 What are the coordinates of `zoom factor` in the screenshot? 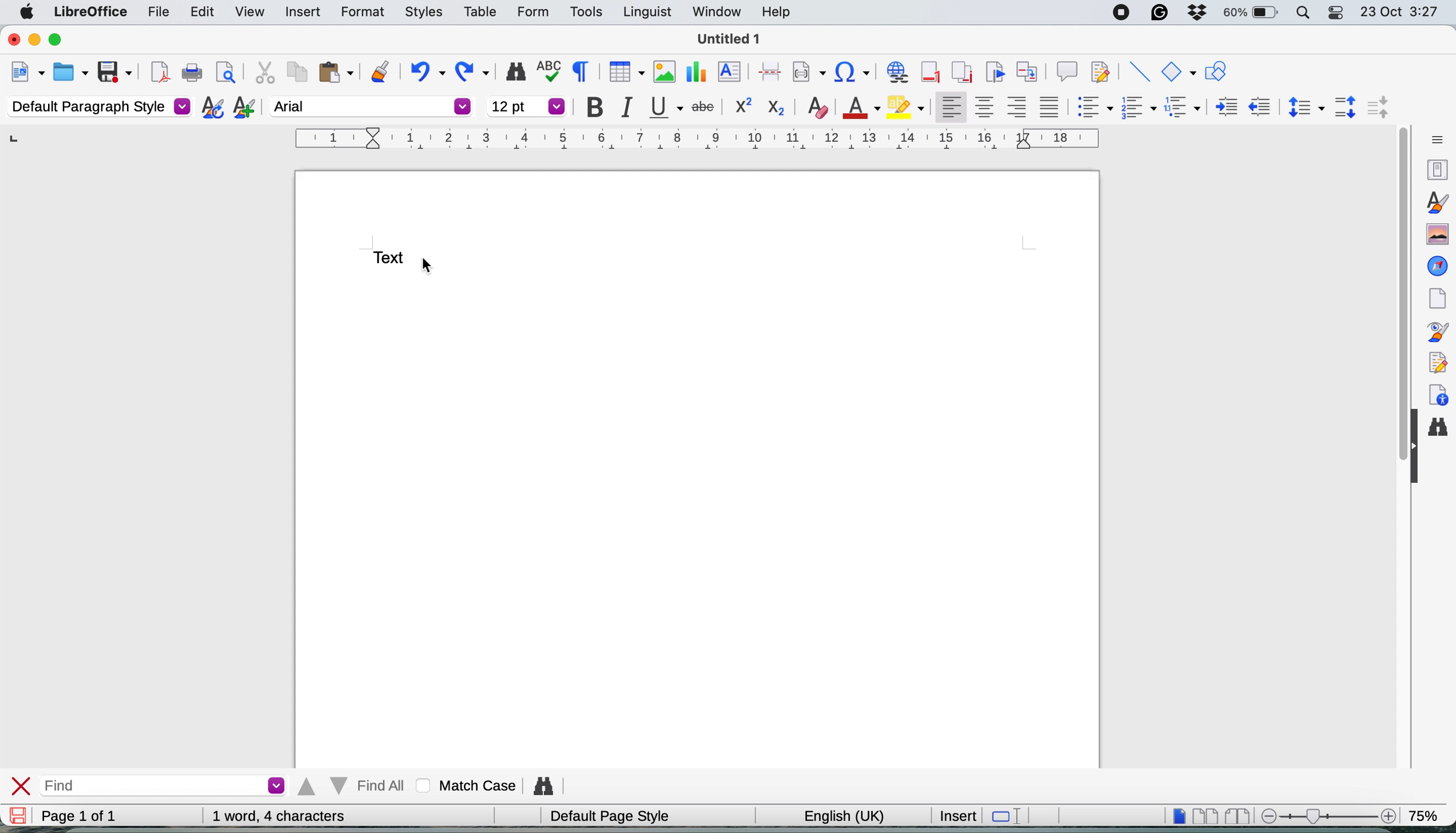 It's located at (1429, 814).